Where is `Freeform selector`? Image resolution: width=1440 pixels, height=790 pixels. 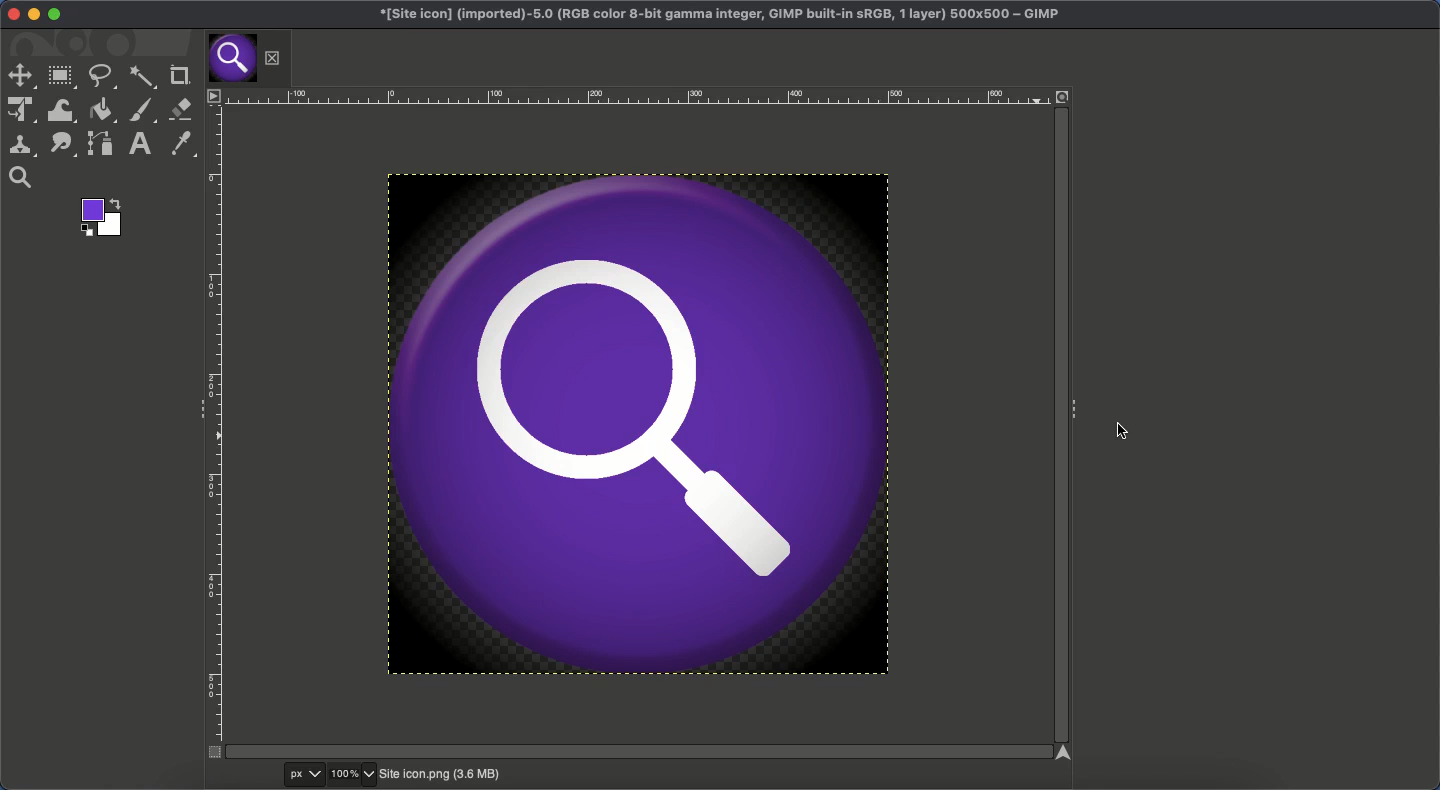 Freeform selector is located at coordinates (101, 76).